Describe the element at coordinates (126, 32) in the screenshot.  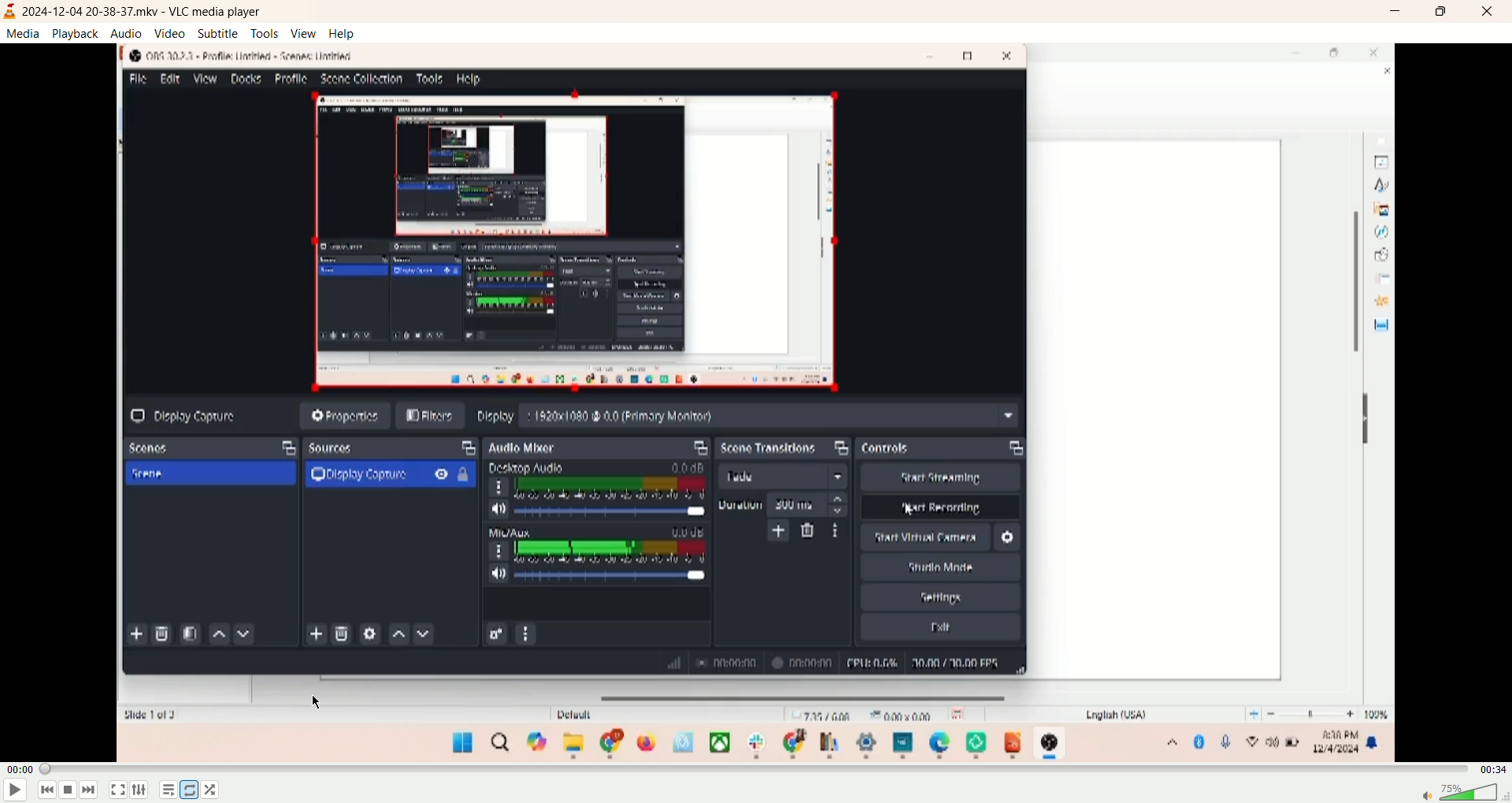
I see `audio` at that location.